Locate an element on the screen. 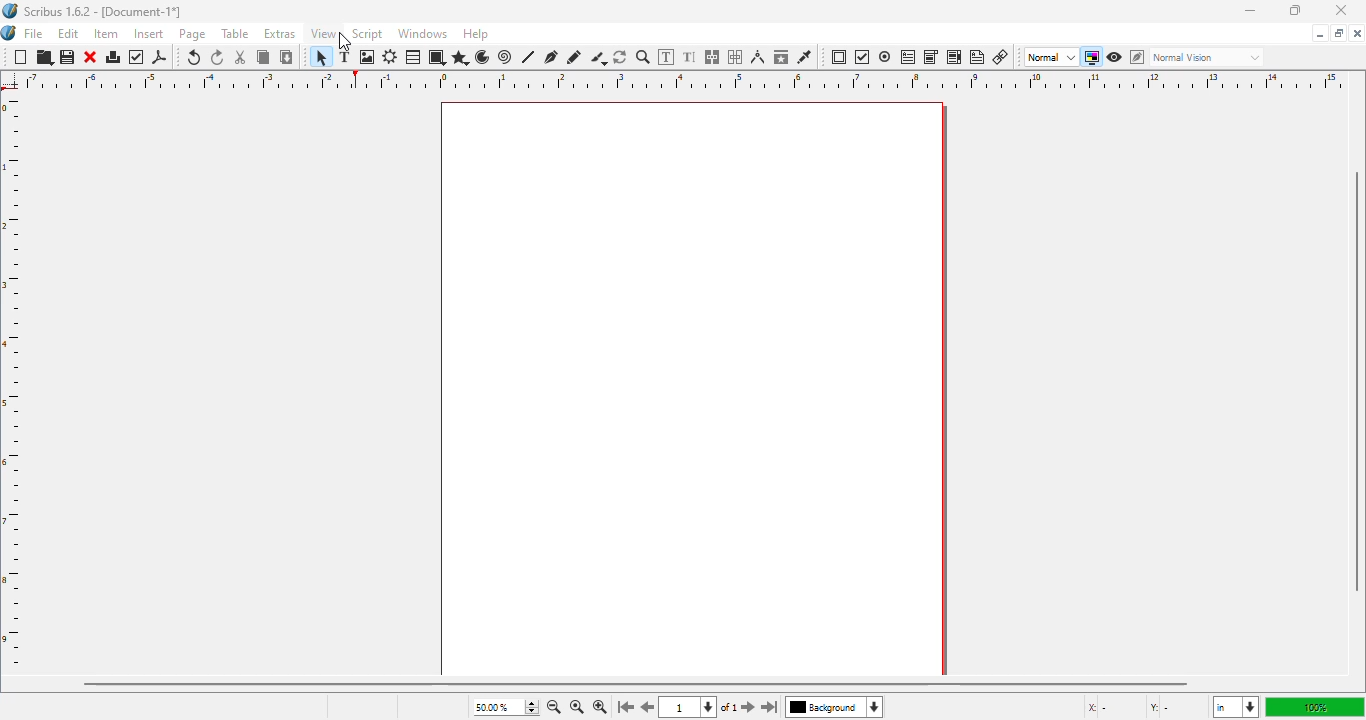  edit is located at coordinates (68, 33).